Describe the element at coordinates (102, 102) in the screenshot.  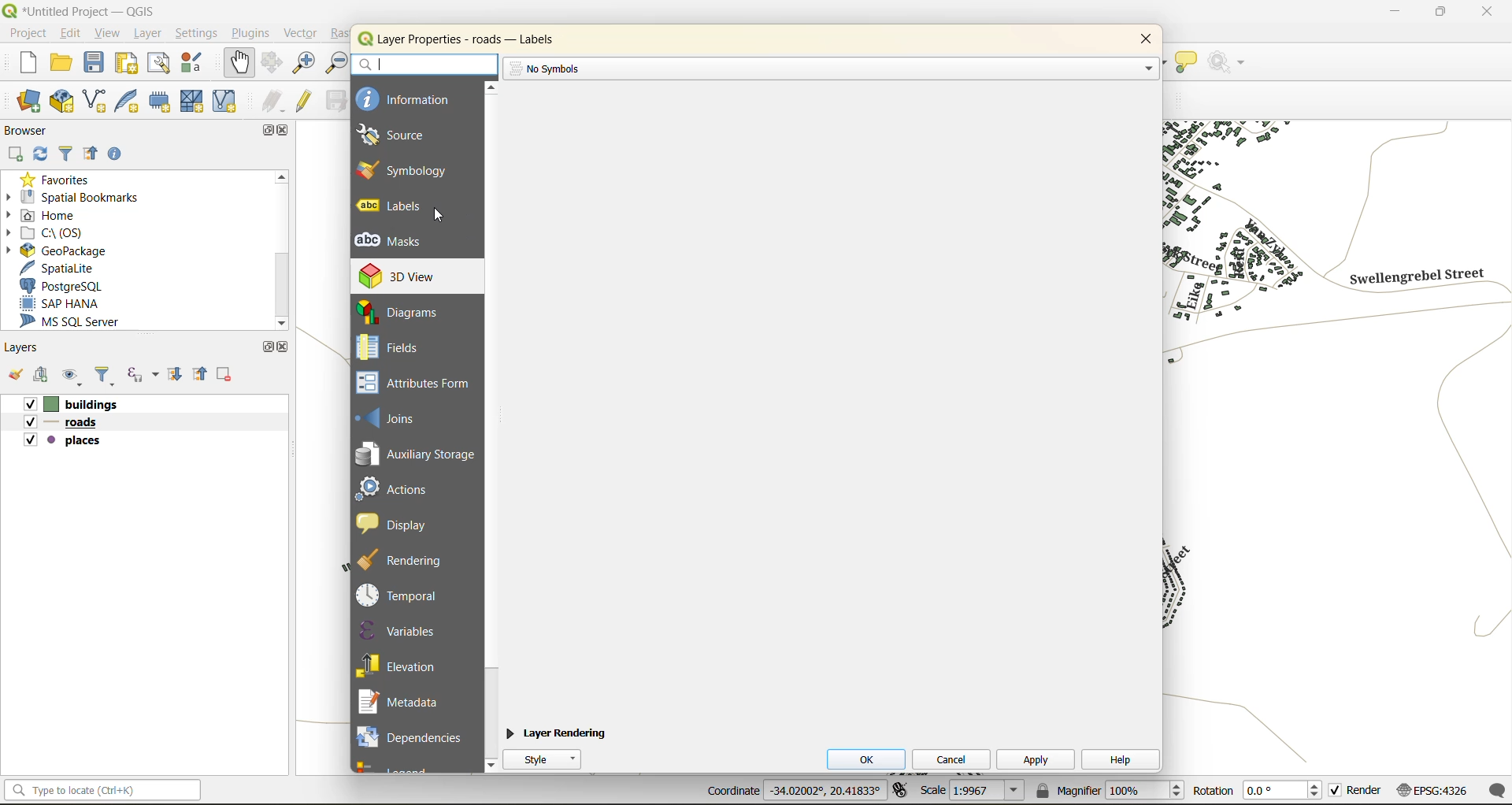
I see `new shapefile layer` at that location.